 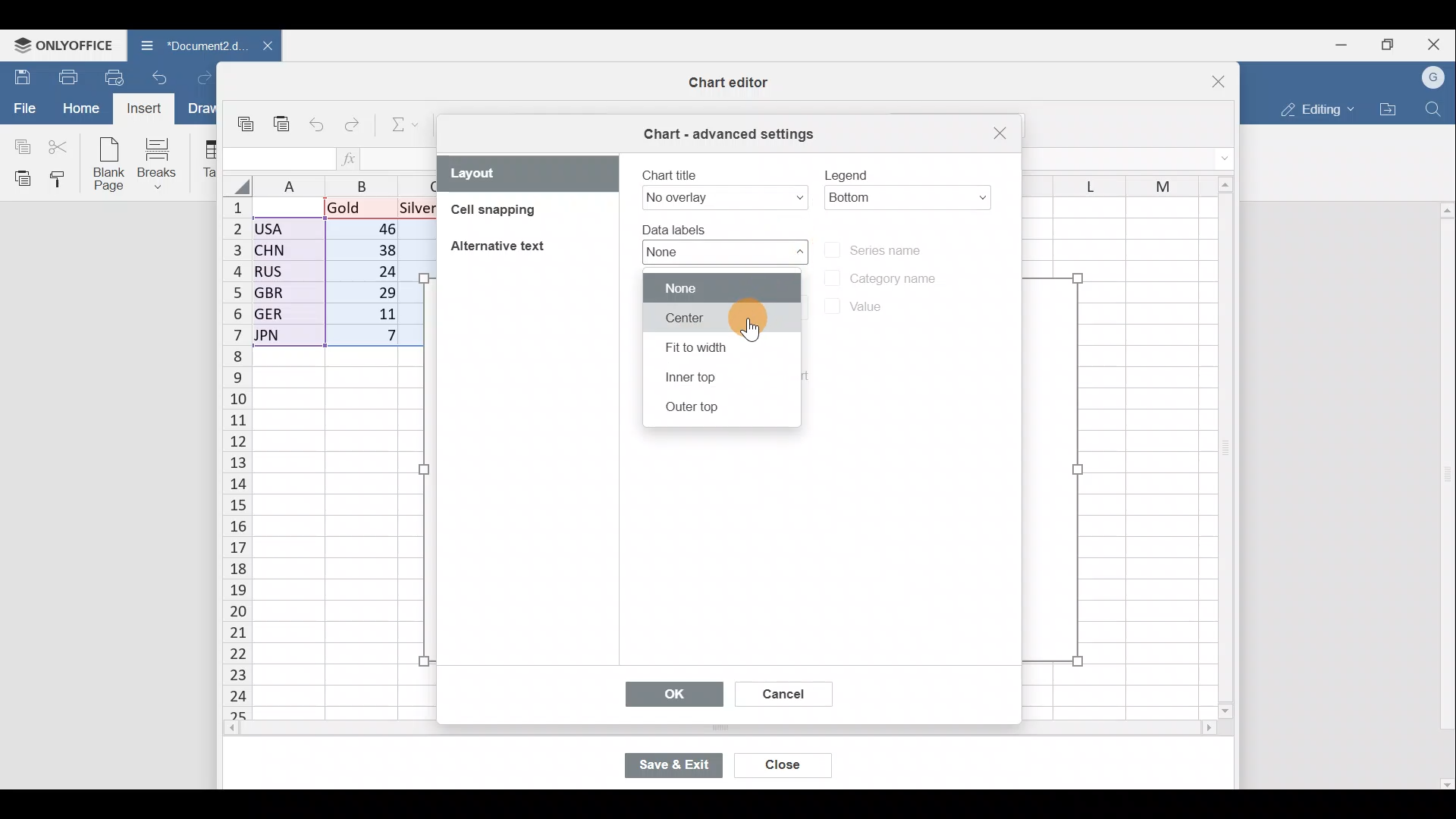 I want to click on None, so click(x=718, y=287).